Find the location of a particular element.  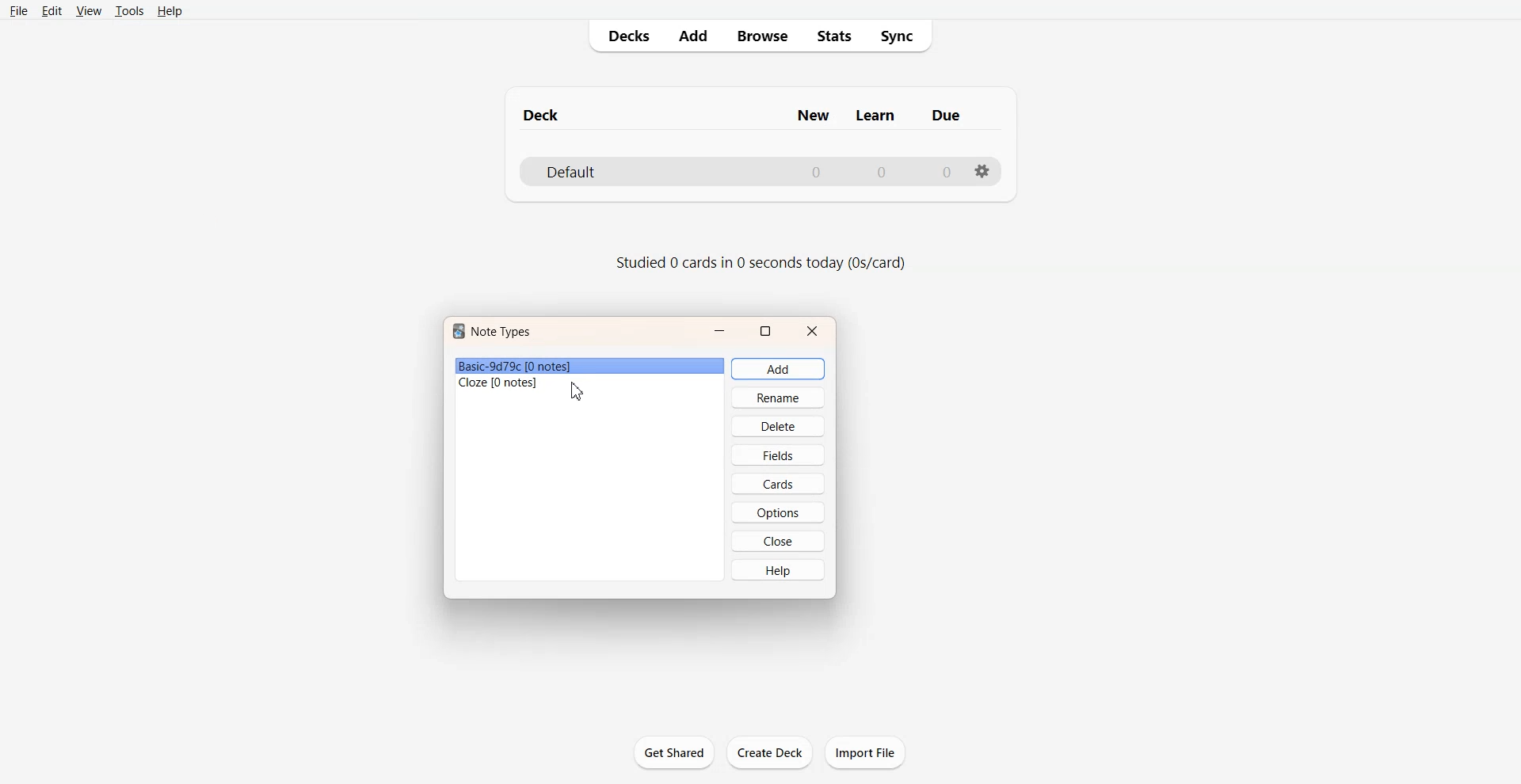

Add is located at coordinates (692, 36).